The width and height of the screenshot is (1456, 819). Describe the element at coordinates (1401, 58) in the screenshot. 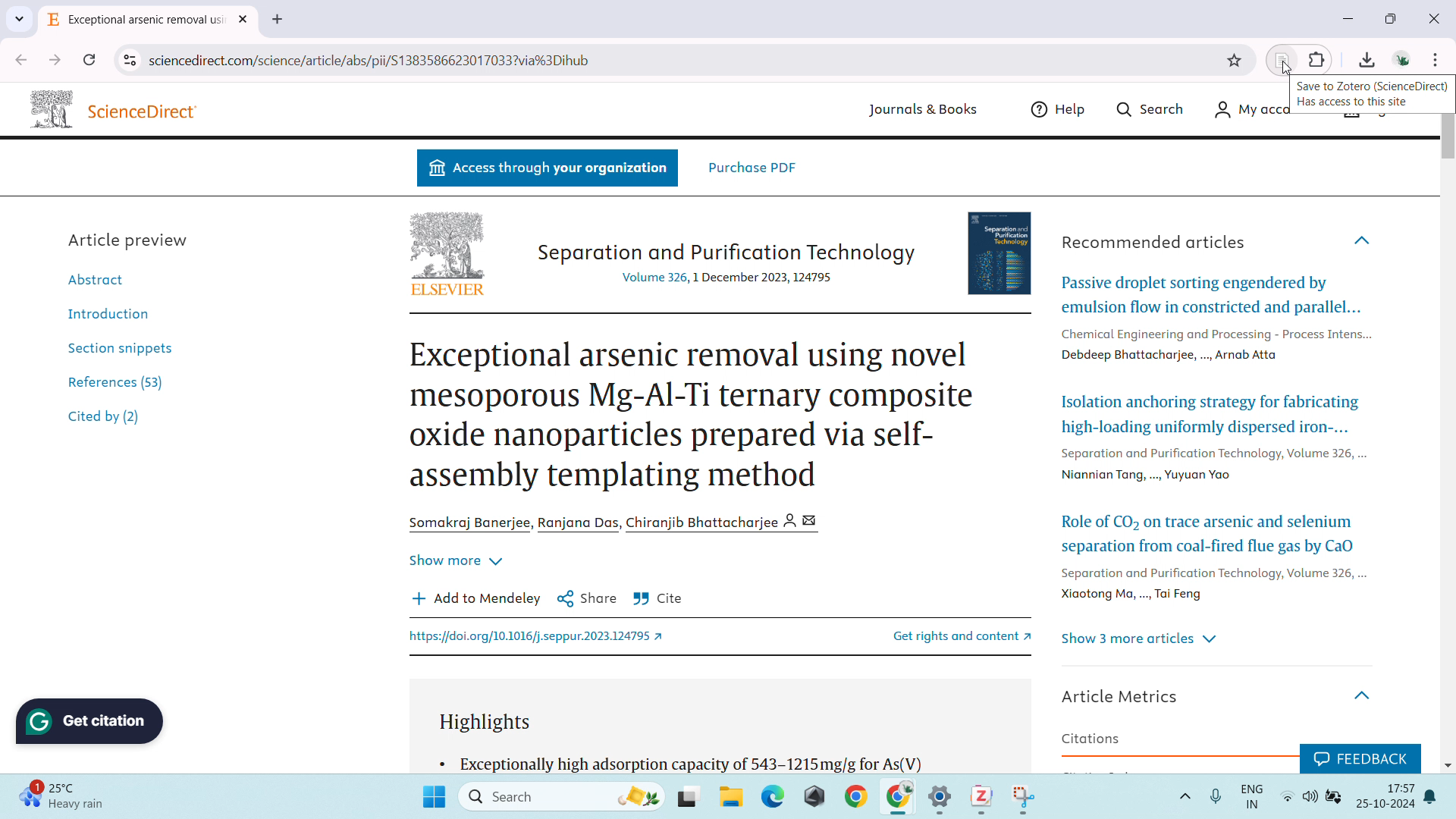

I see `account` at that location.